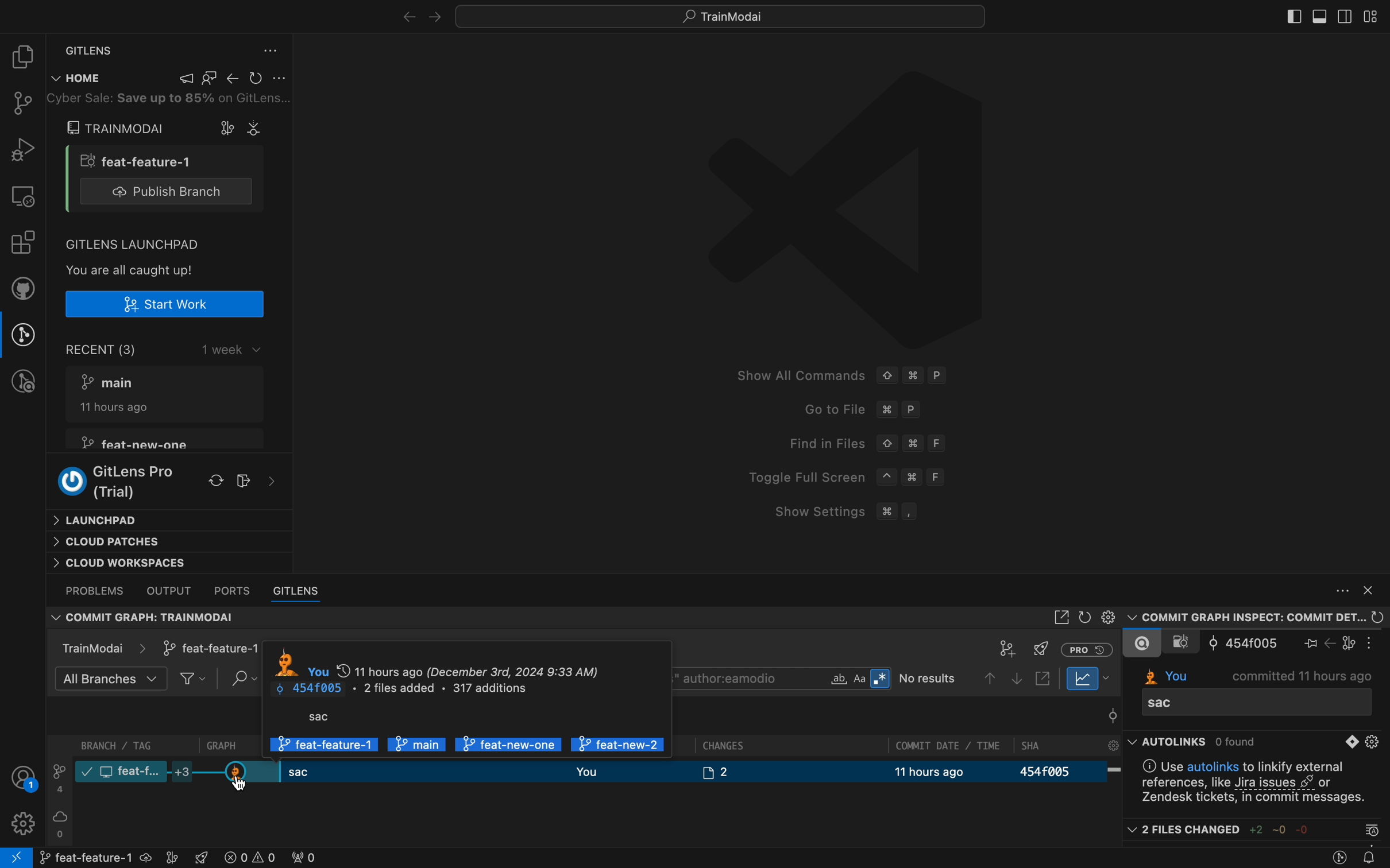 The width and height of the screenshot is (1390, 868). What do you see at coordinates (59, 779) in the screenshot?
I see `number of branches` at bounding box center [59, 779].